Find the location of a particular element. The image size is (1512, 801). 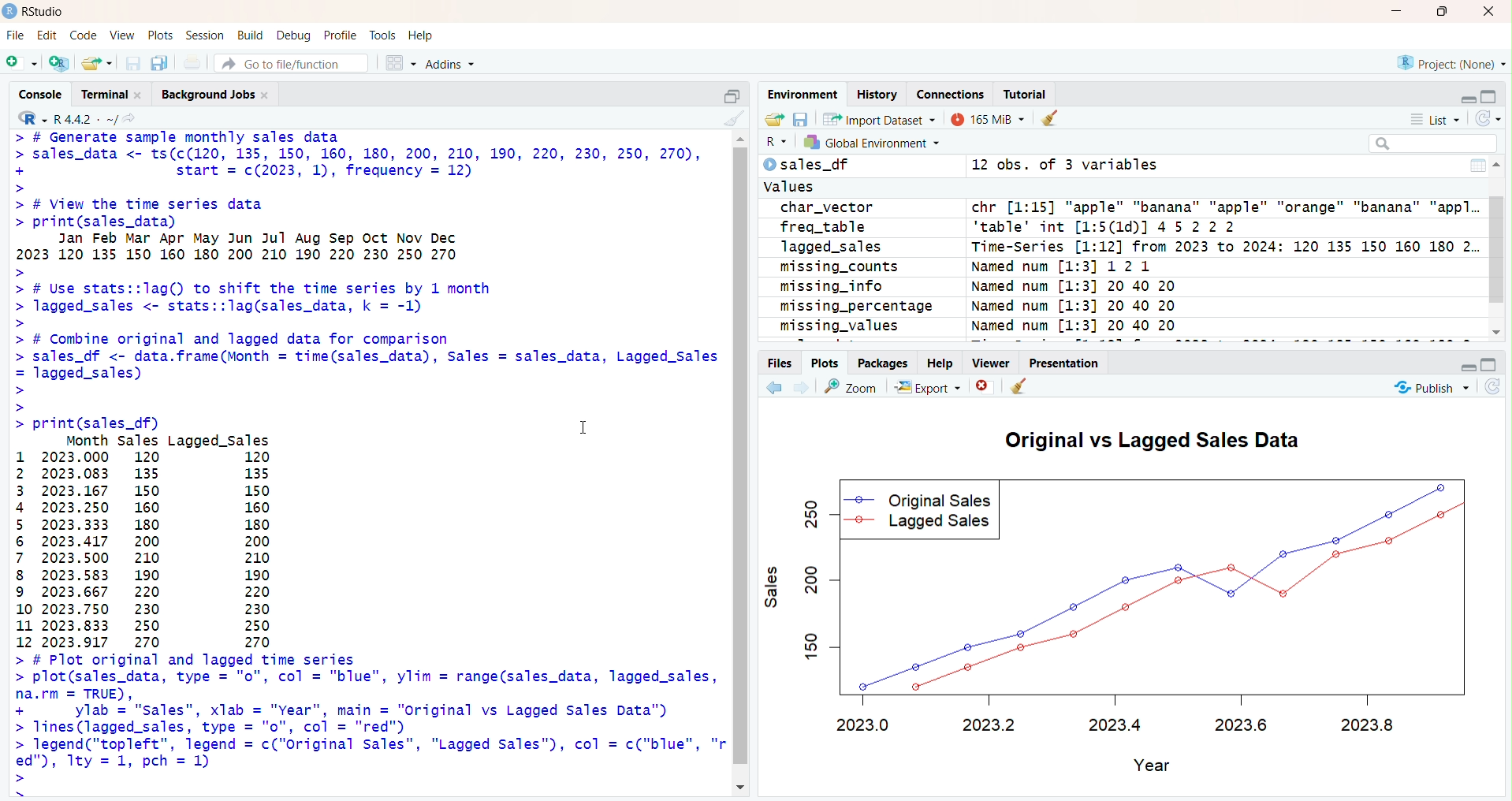

scrollbar is located at coordinates (741, 464).